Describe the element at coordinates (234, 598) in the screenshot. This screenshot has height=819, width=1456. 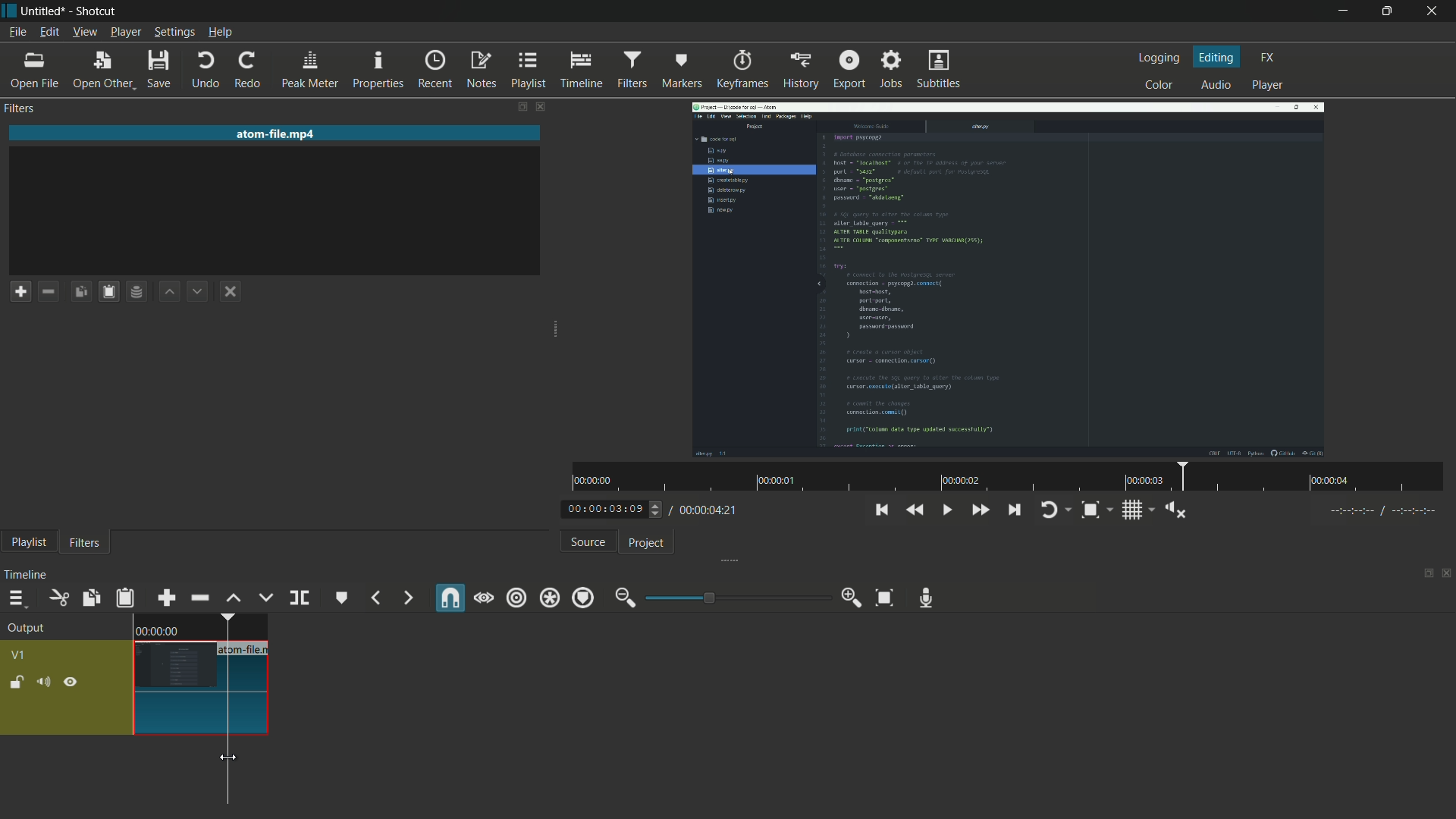
I see `lift` at that location.